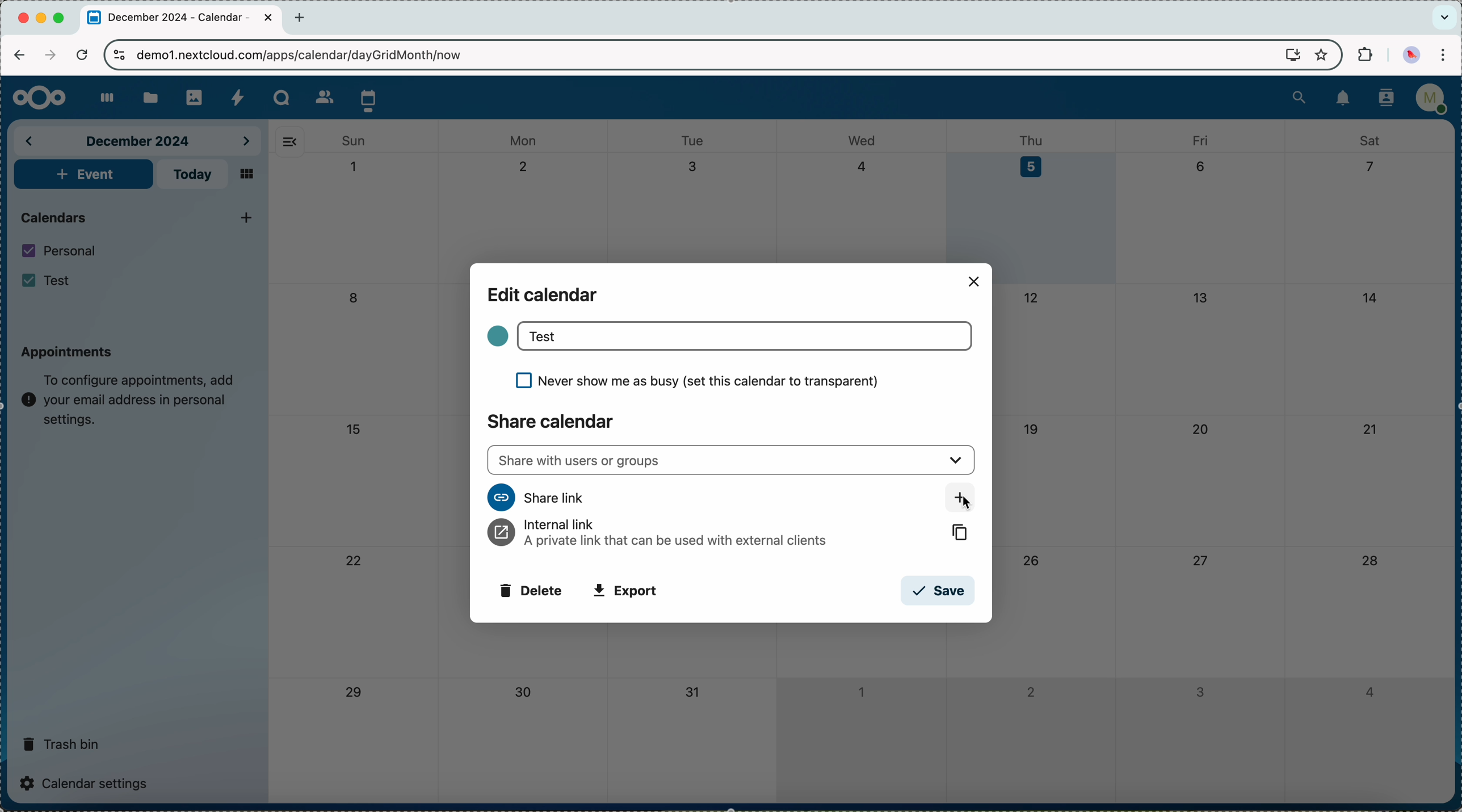 The width and height of the screenshot is (1462, 812). I want to click on new tab, so click(303, 18).